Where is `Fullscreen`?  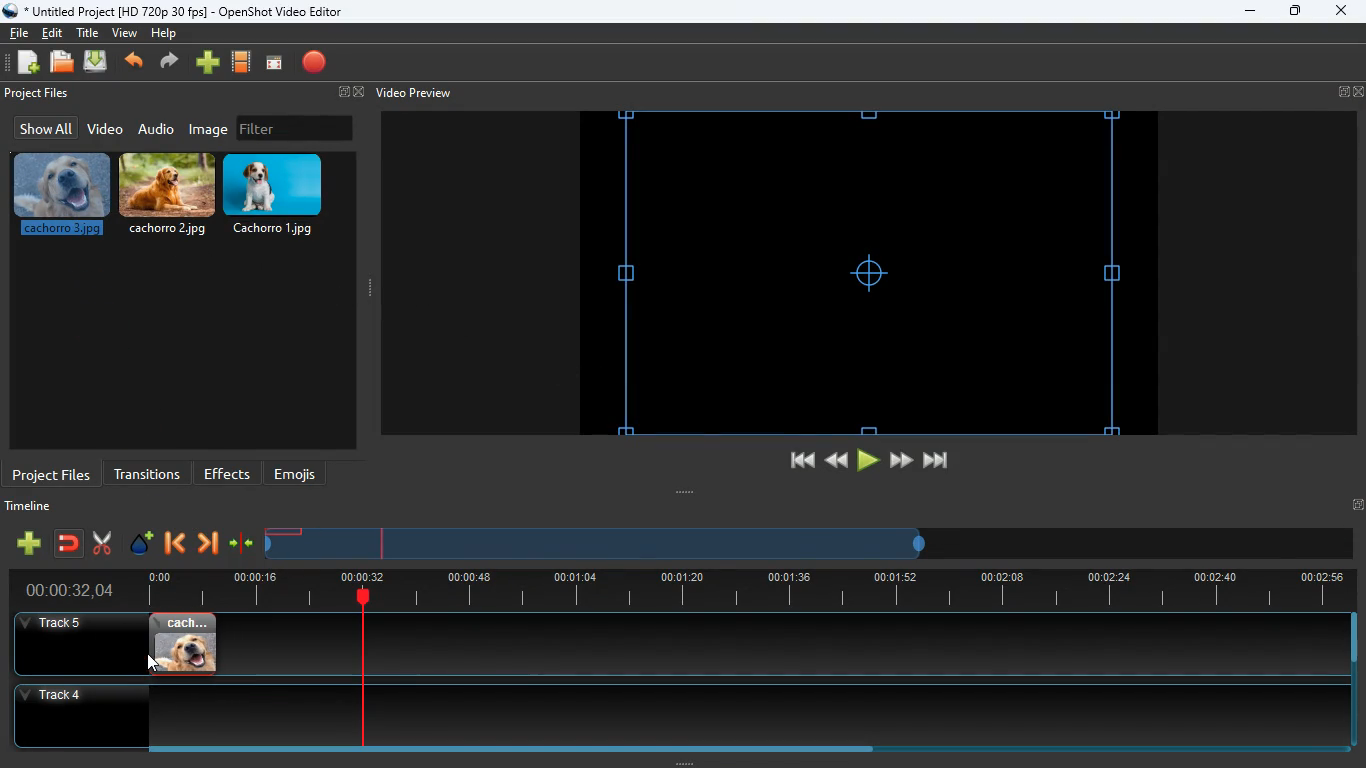 Fullscreen is located at coordinates (1357, 504).